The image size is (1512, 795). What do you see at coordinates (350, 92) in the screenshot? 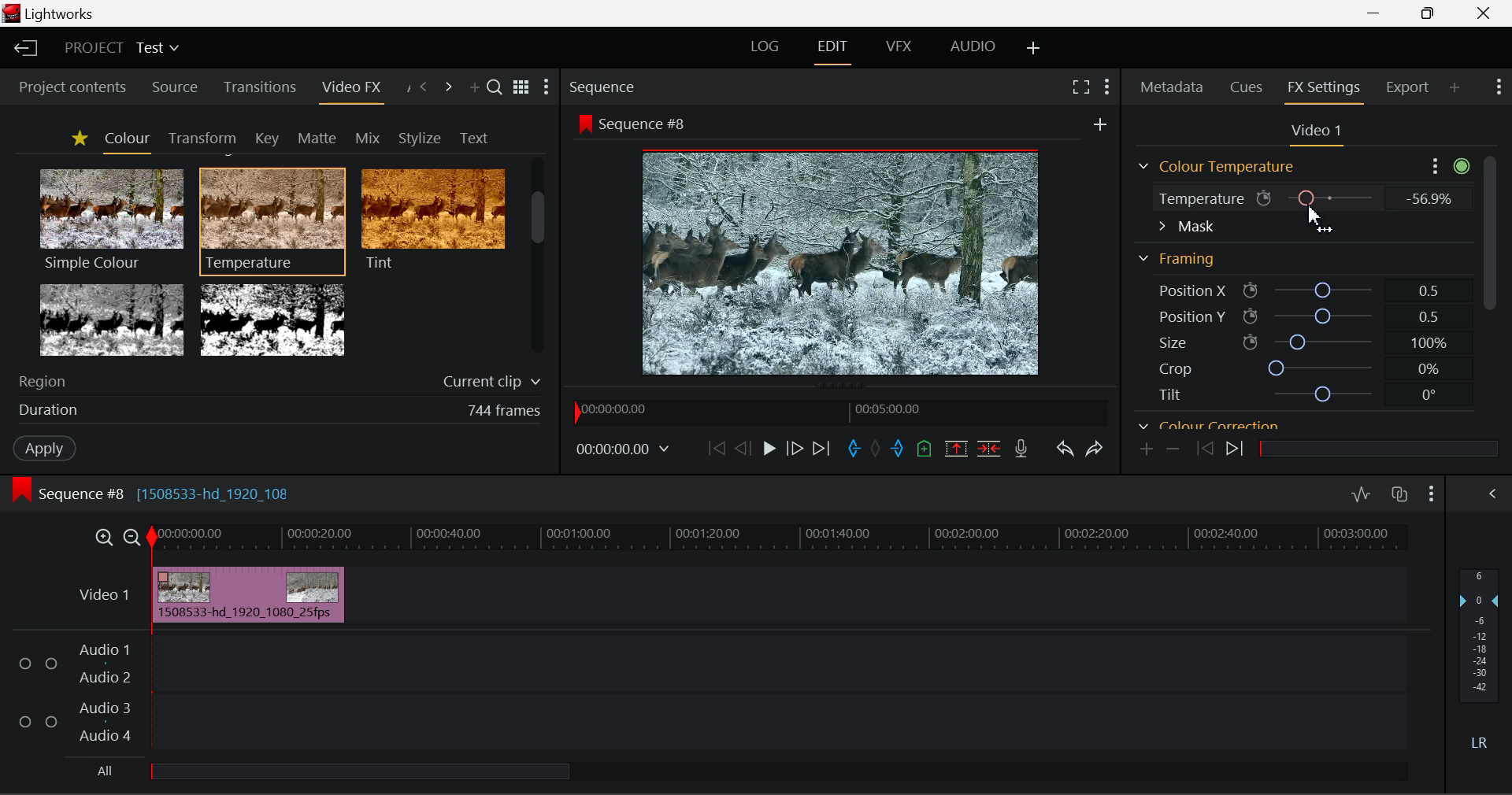
I see `Video FX` at bounding box center [350, 92].